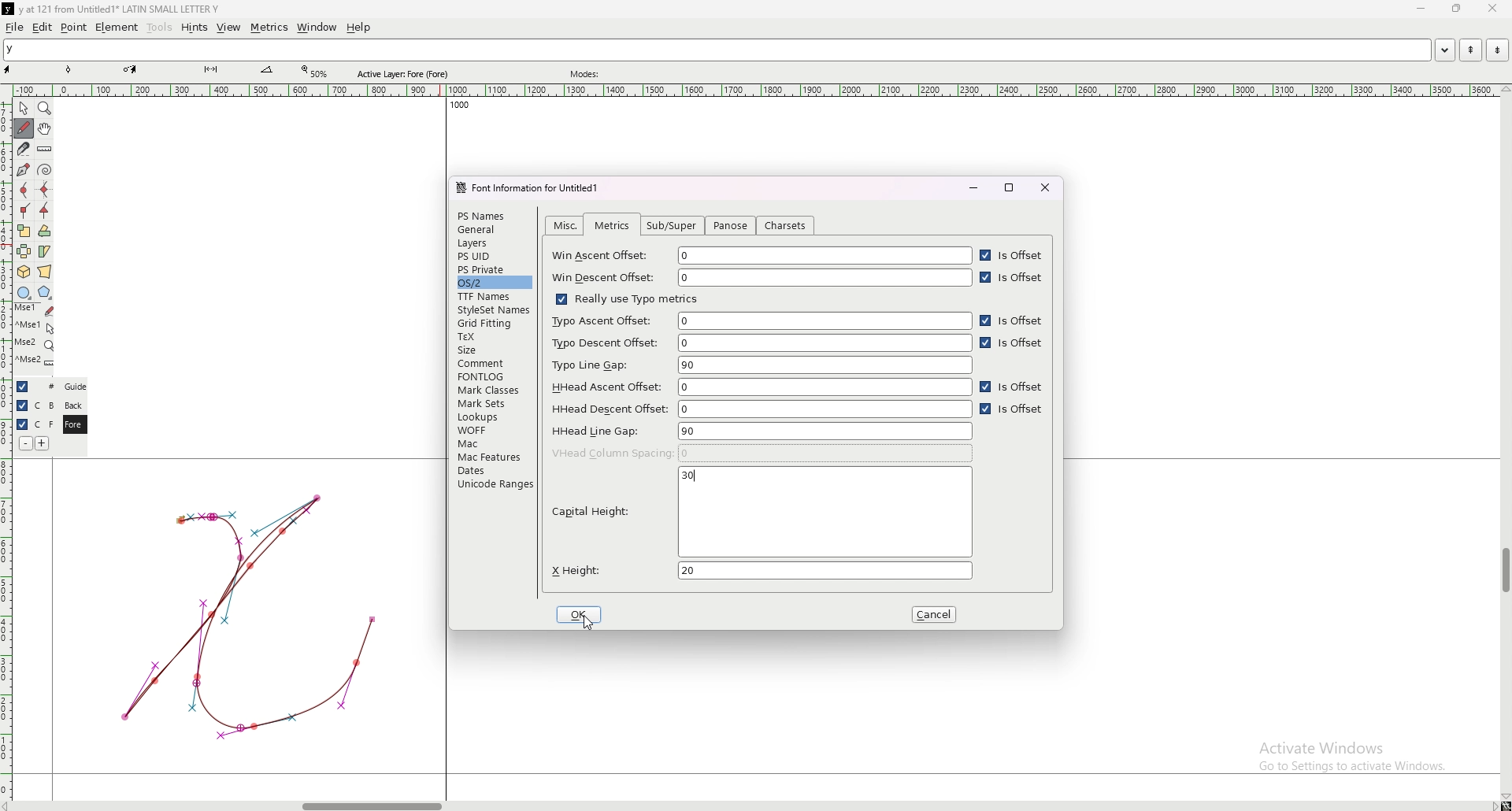 The image size is (1512, 811). Describe the element at coordinates (1494, 50) in the screenshot. I see `next word` at that location.